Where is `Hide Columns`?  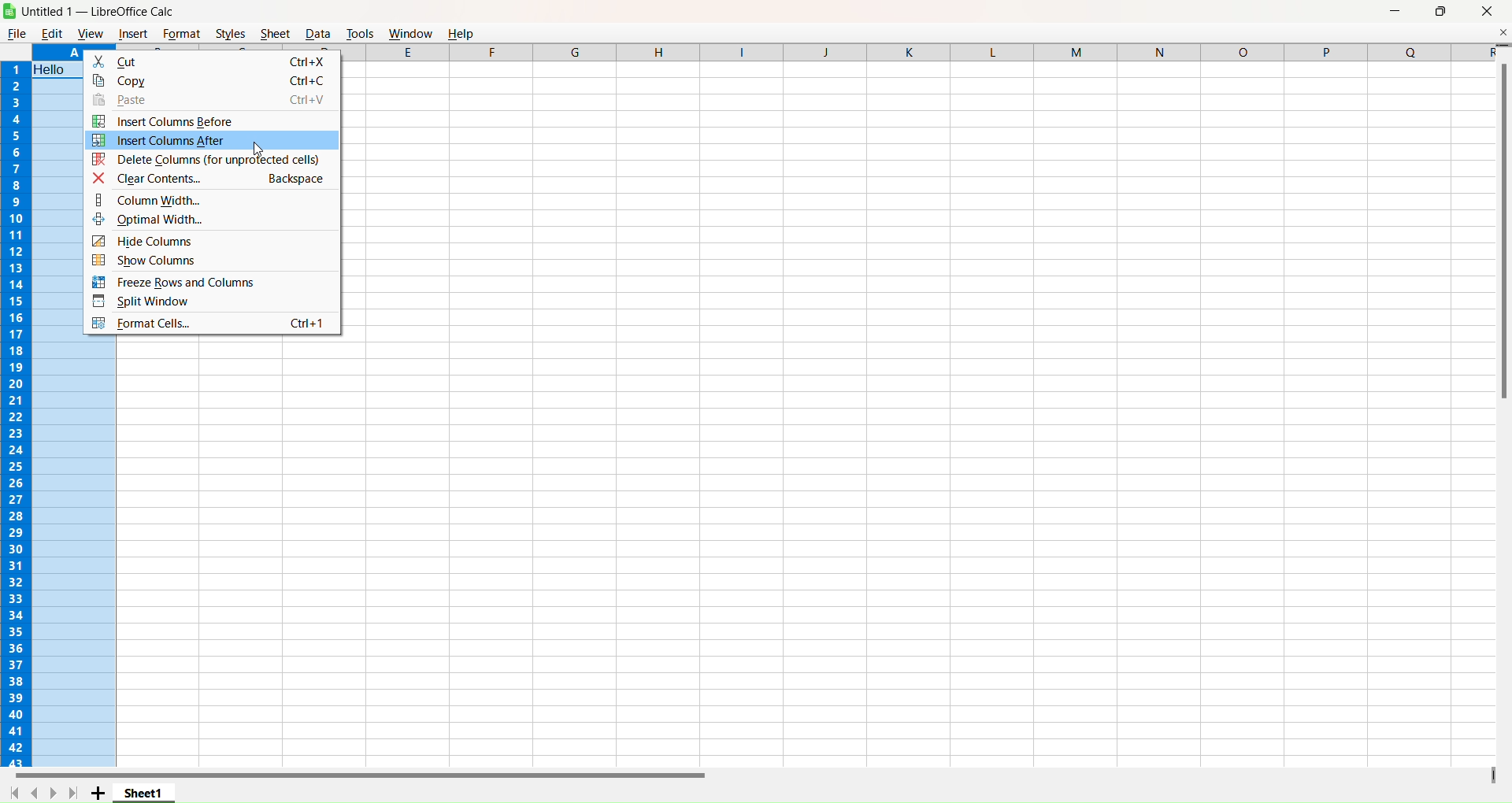 Hide Columns is located at coordinates (215, 241).